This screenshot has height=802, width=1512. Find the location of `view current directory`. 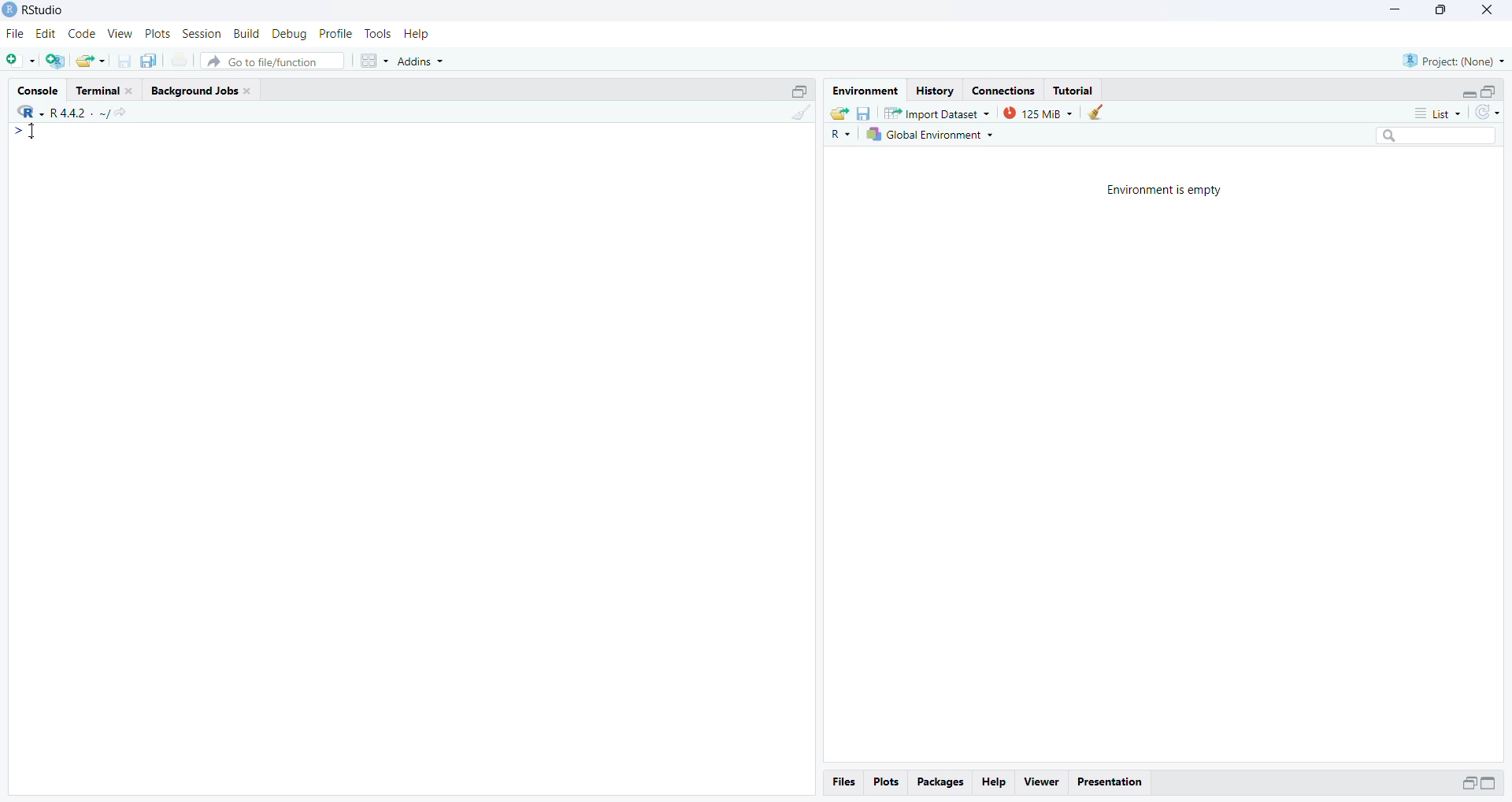

view current directory is located at coordinates (113, 113).